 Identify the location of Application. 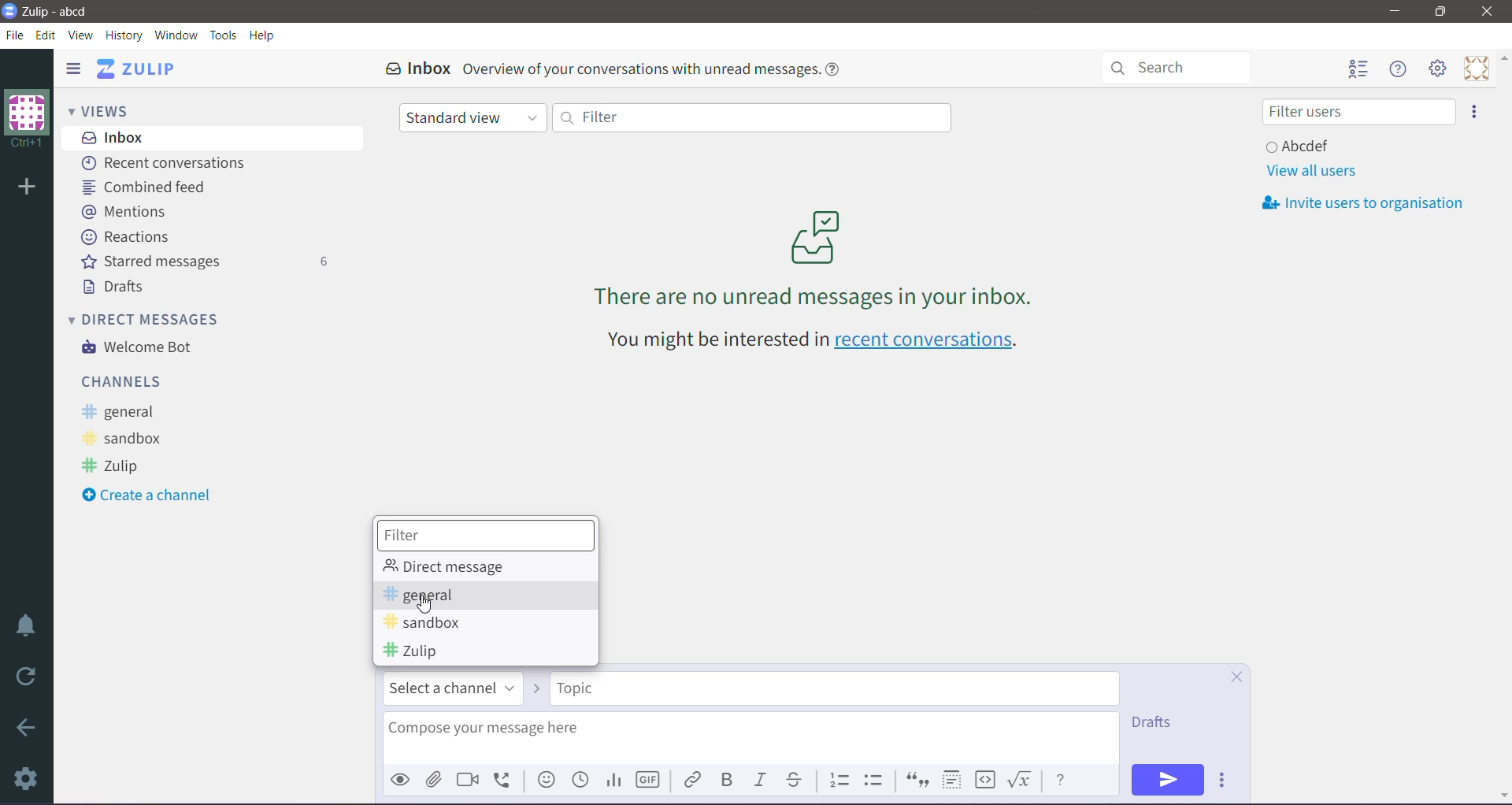
(141, 69).